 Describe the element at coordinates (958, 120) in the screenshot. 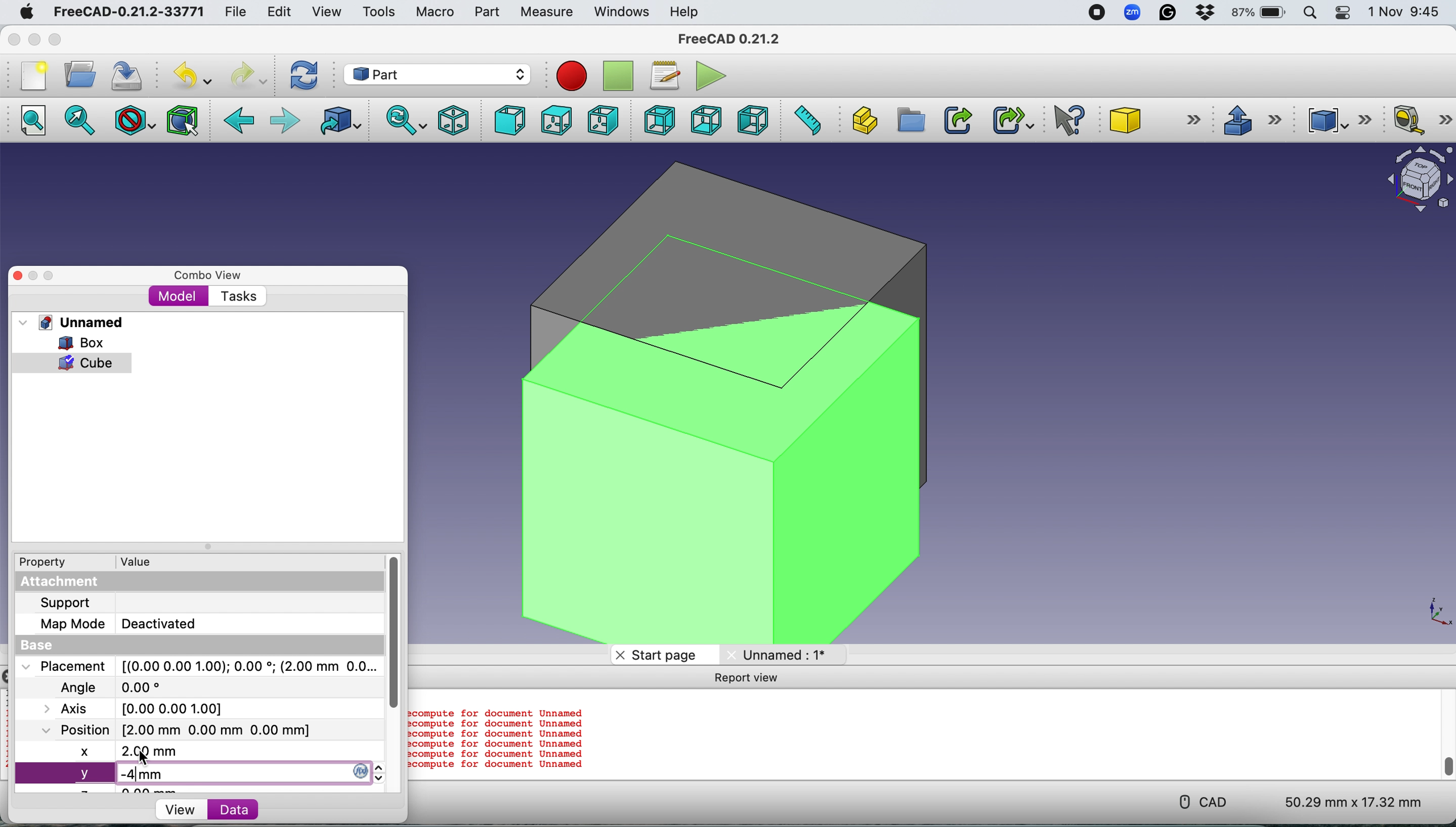

I see `Make link` at that location.